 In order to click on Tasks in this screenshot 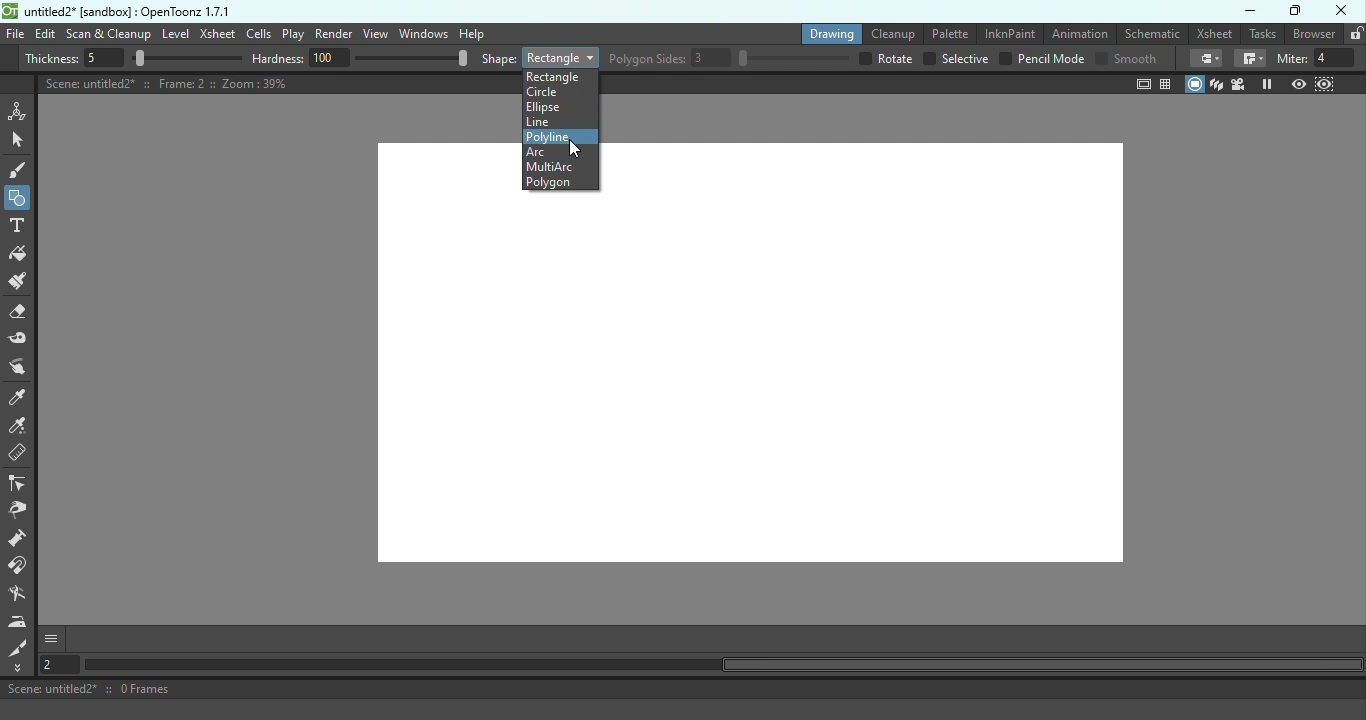, I will do `click(1263, 34)`.